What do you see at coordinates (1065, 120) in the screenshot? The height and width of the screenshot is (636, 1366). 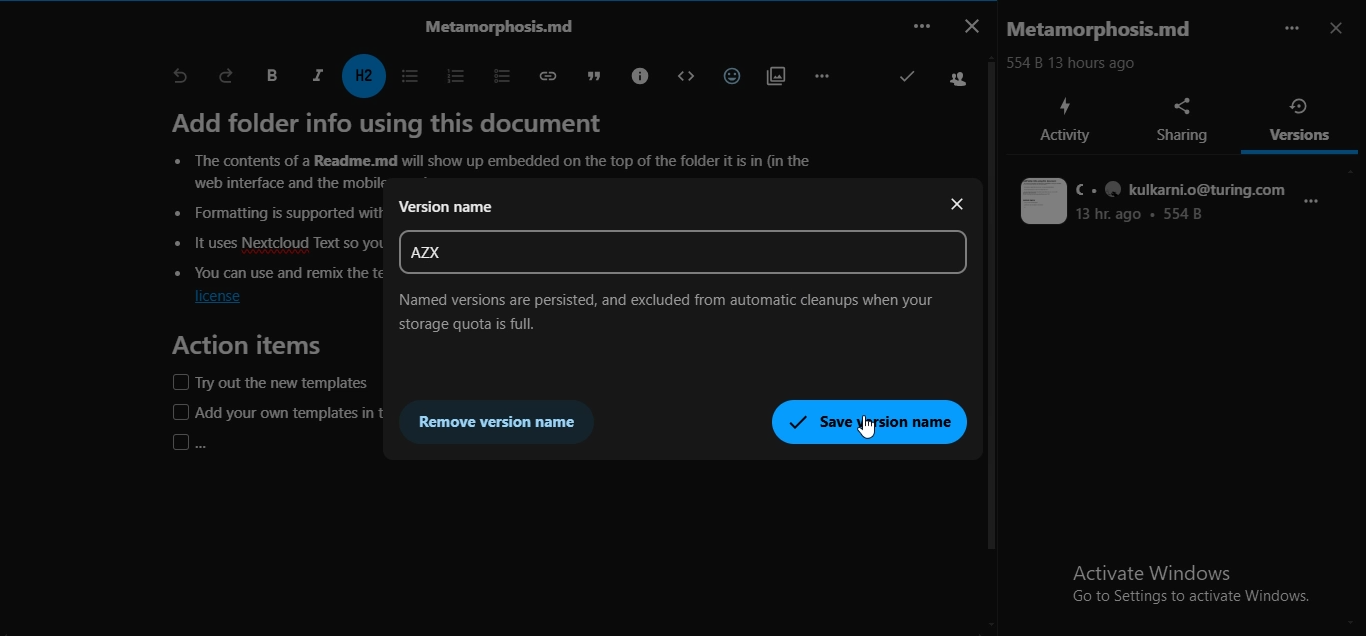 I see `activity` at bounding box center [1065, 120].